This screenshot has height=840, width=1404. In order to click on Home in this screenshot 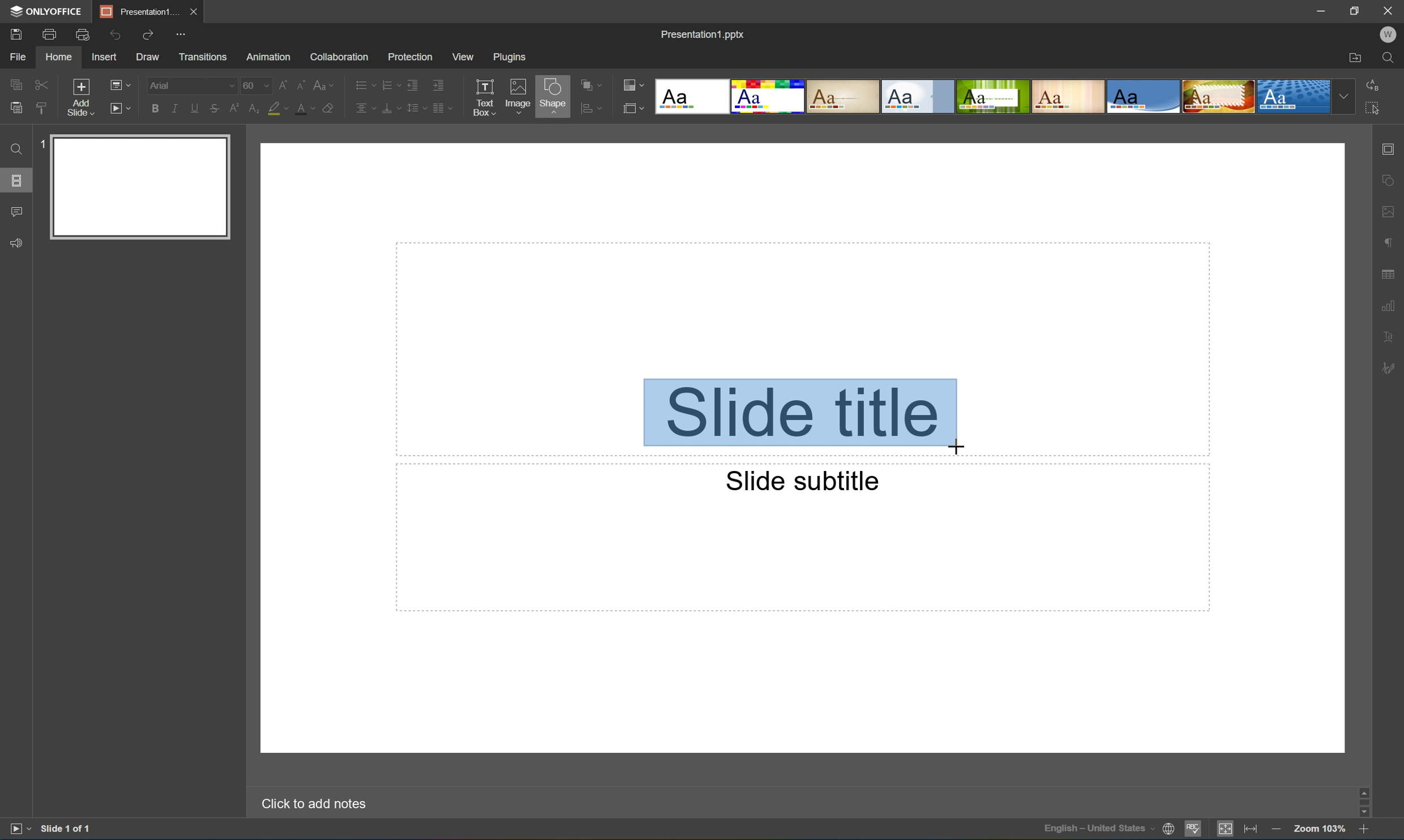, I will do `click(59, 58)`.